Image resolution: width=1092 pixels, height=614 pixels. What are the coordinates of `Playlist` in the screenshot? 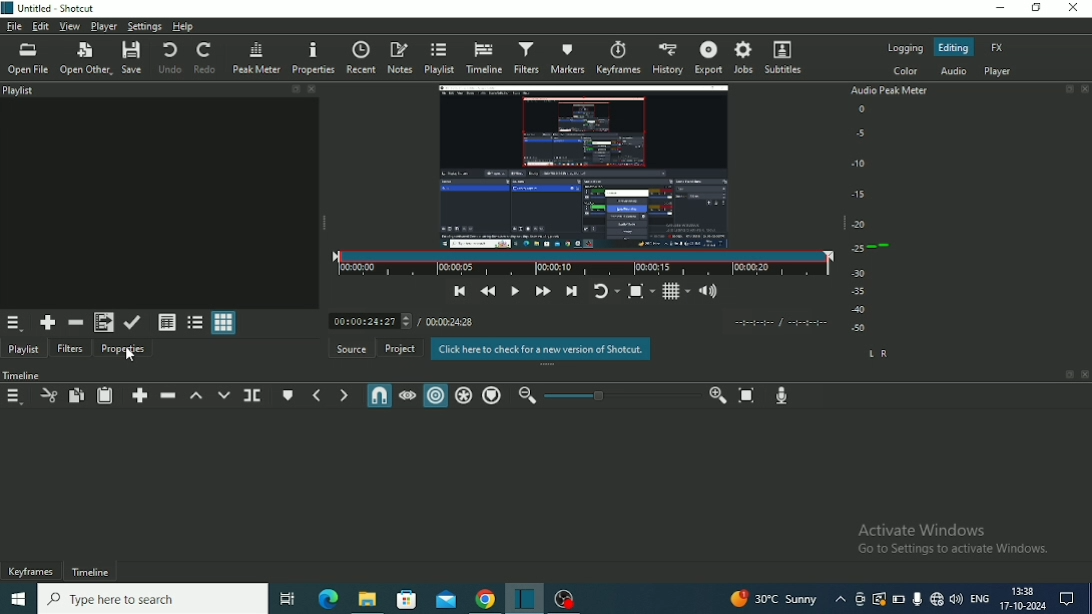 It's located at (20, 90).